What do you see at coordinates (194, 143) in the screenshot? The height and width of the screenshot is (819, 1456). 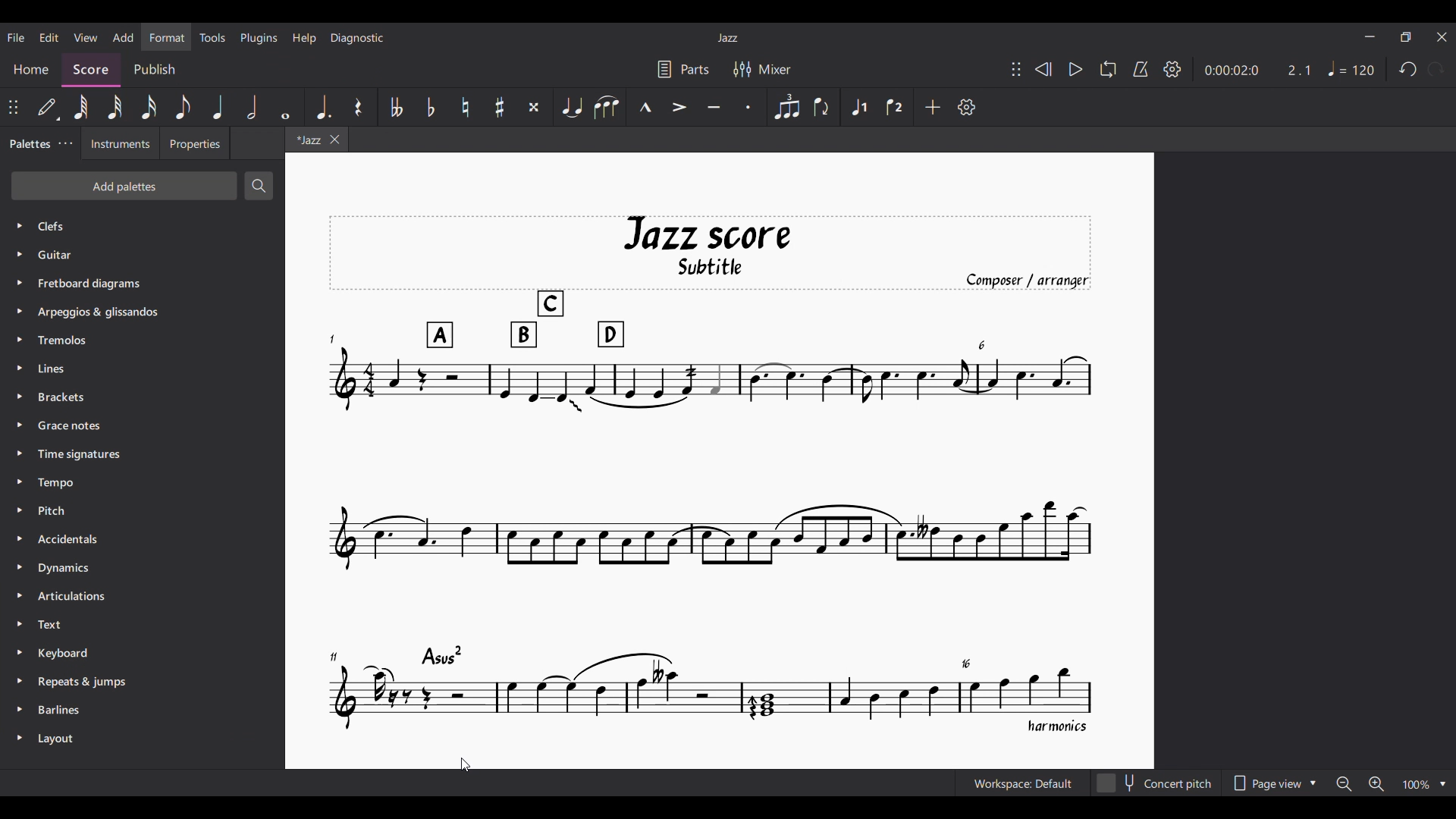 I see `Properties` at bounding box center [194, 143].